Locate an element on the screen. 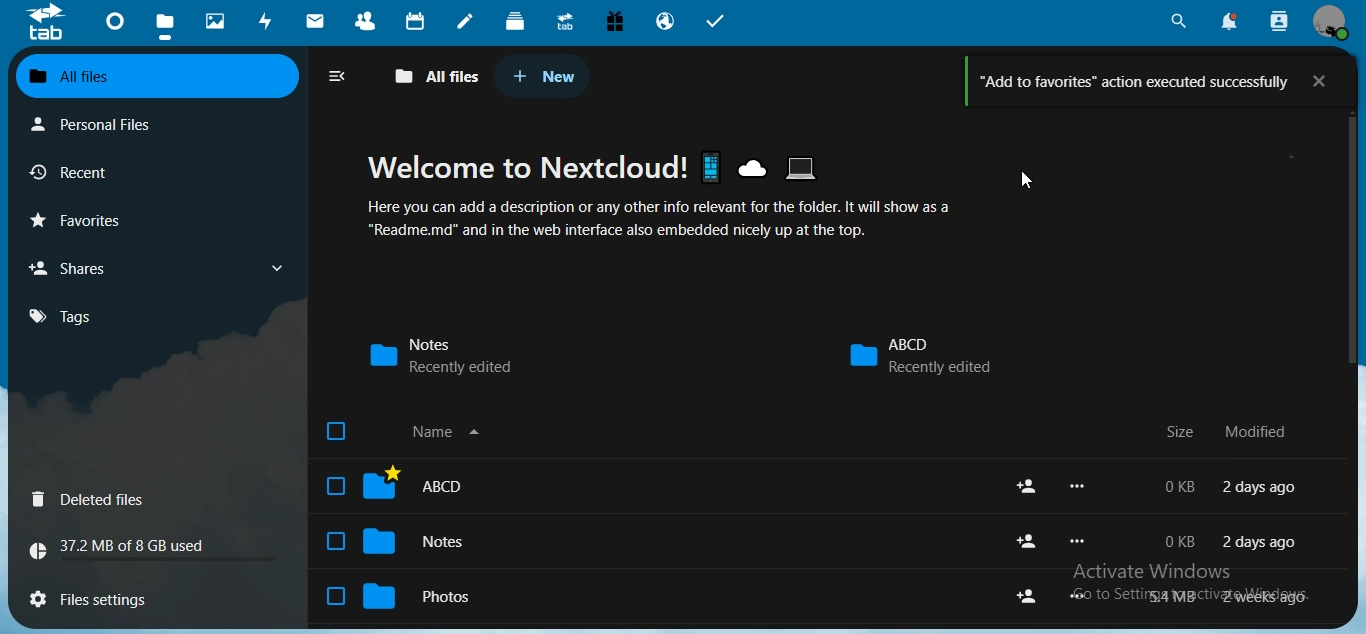 The height and width of the screenshot is (634, 1366). tags is located at coordinates (65, 316).